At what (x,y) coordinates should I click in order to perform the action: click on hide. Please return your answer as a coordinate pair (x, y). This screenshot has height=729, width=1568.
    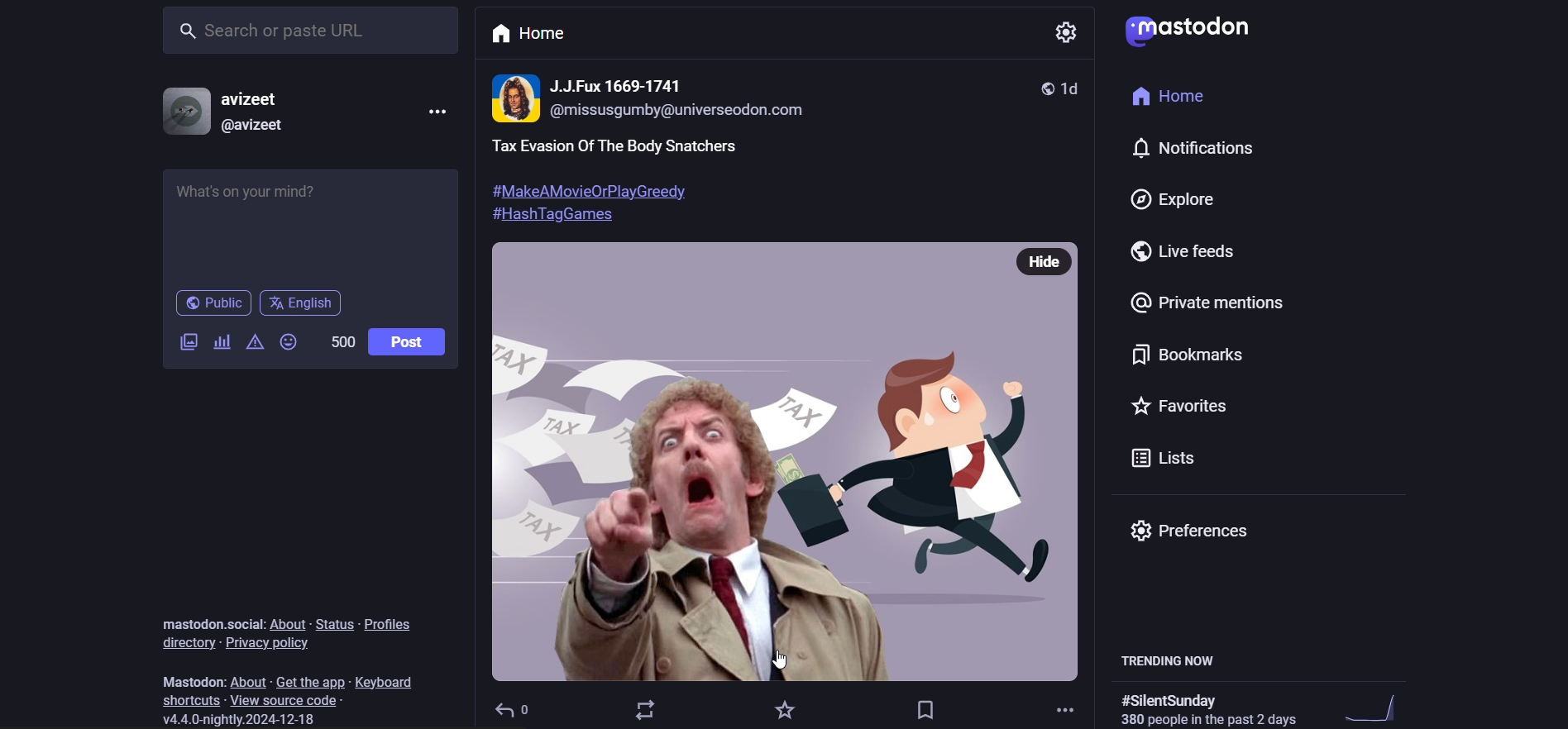
    Looking at the image, I should click on (1052, 261).